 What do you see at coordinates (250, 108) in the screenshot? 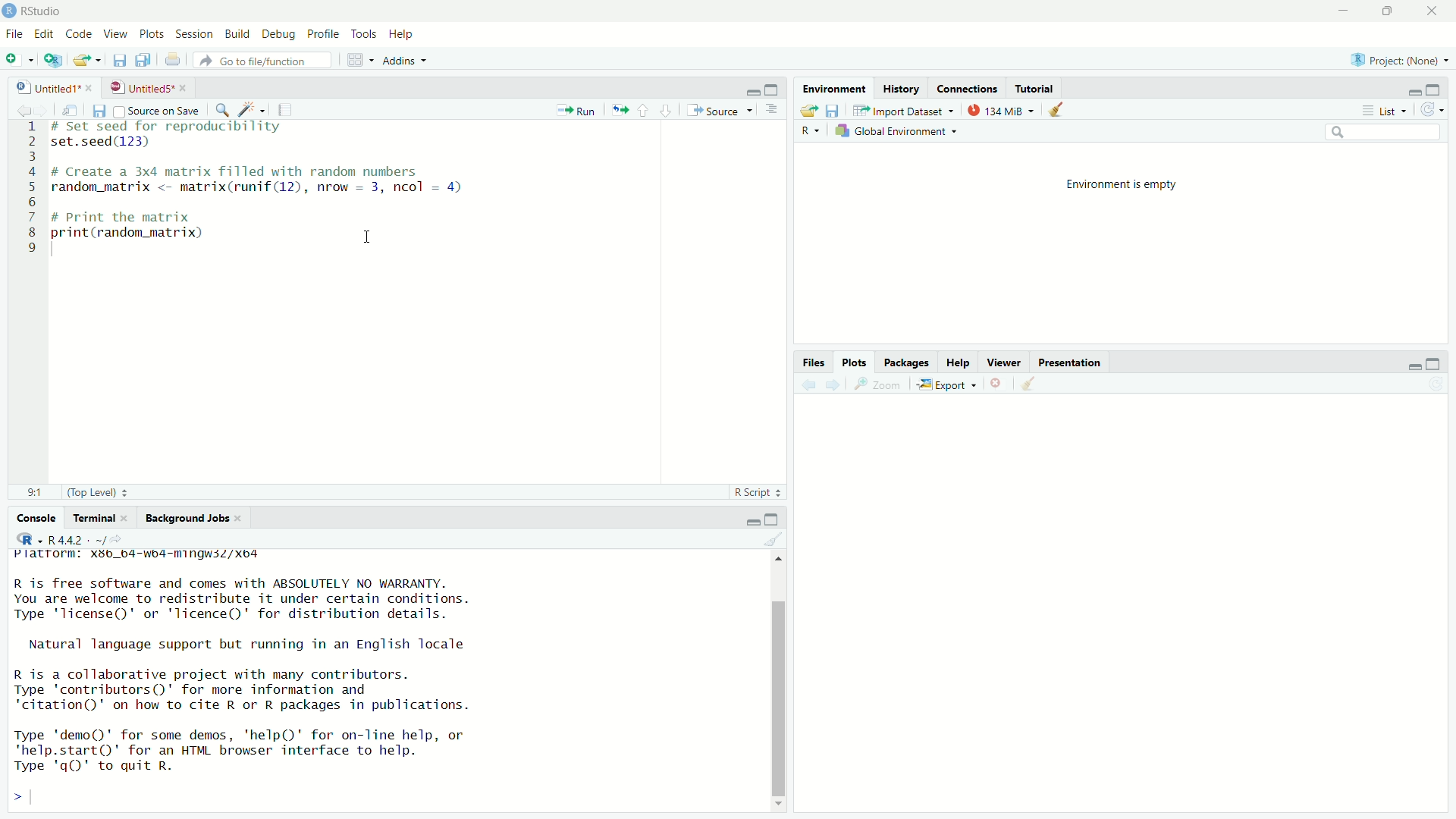
I see `spark` at bounding box center [250, 108].